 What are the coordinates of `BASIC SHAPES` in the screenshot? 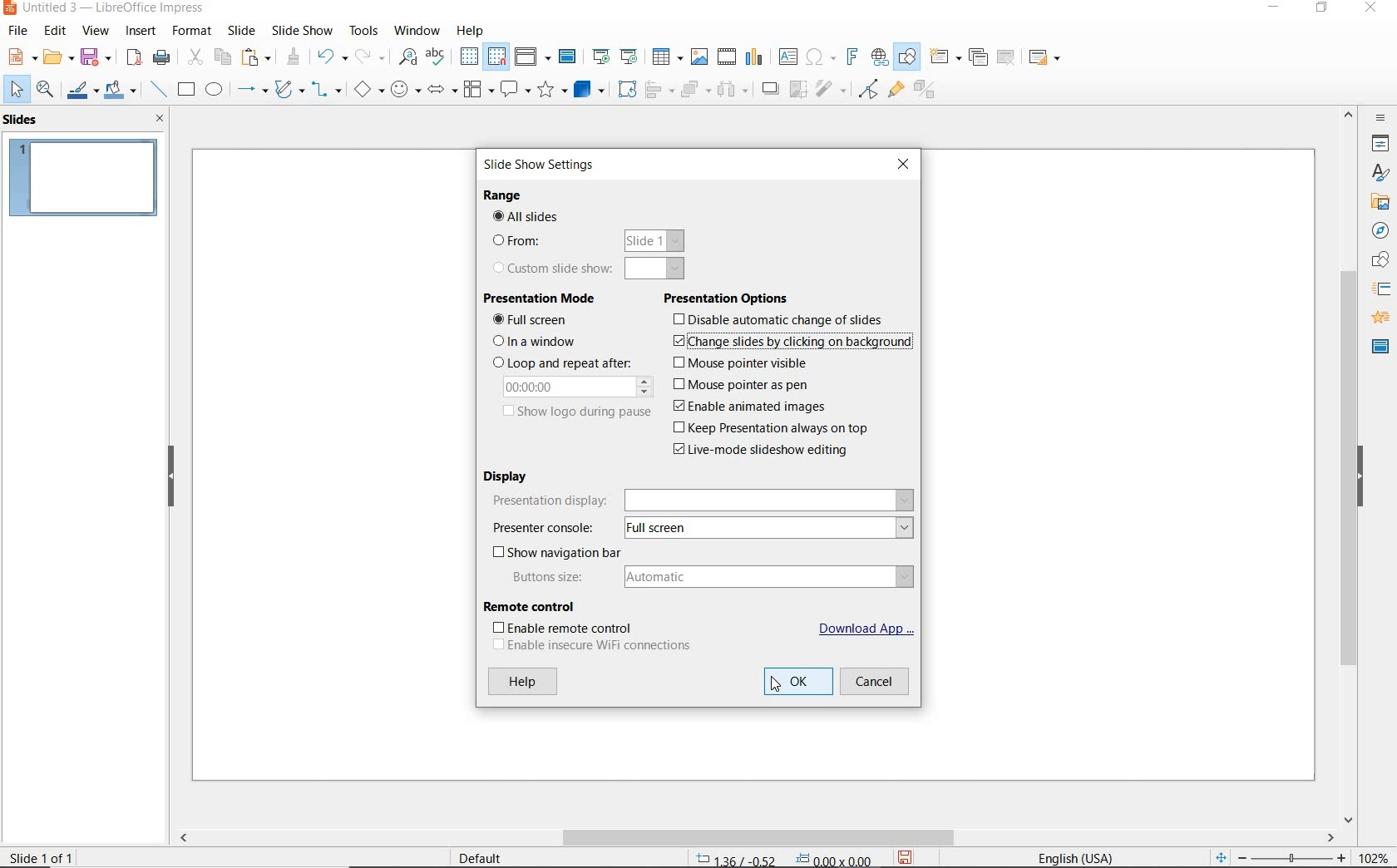 It's located at (368, 91).